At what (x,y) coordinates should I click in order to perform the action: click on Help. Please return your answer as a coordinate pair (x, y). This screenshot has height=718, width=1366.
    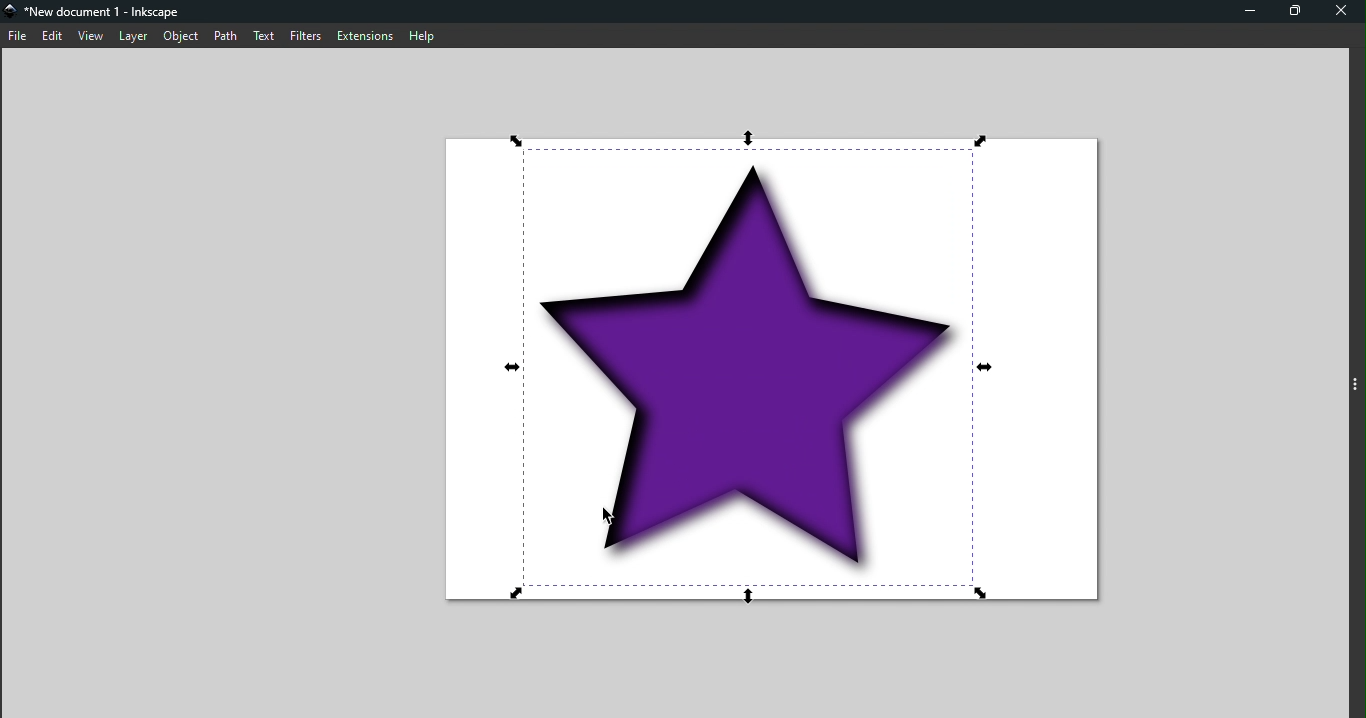
    Looking at the image, I should click on (420, 34).